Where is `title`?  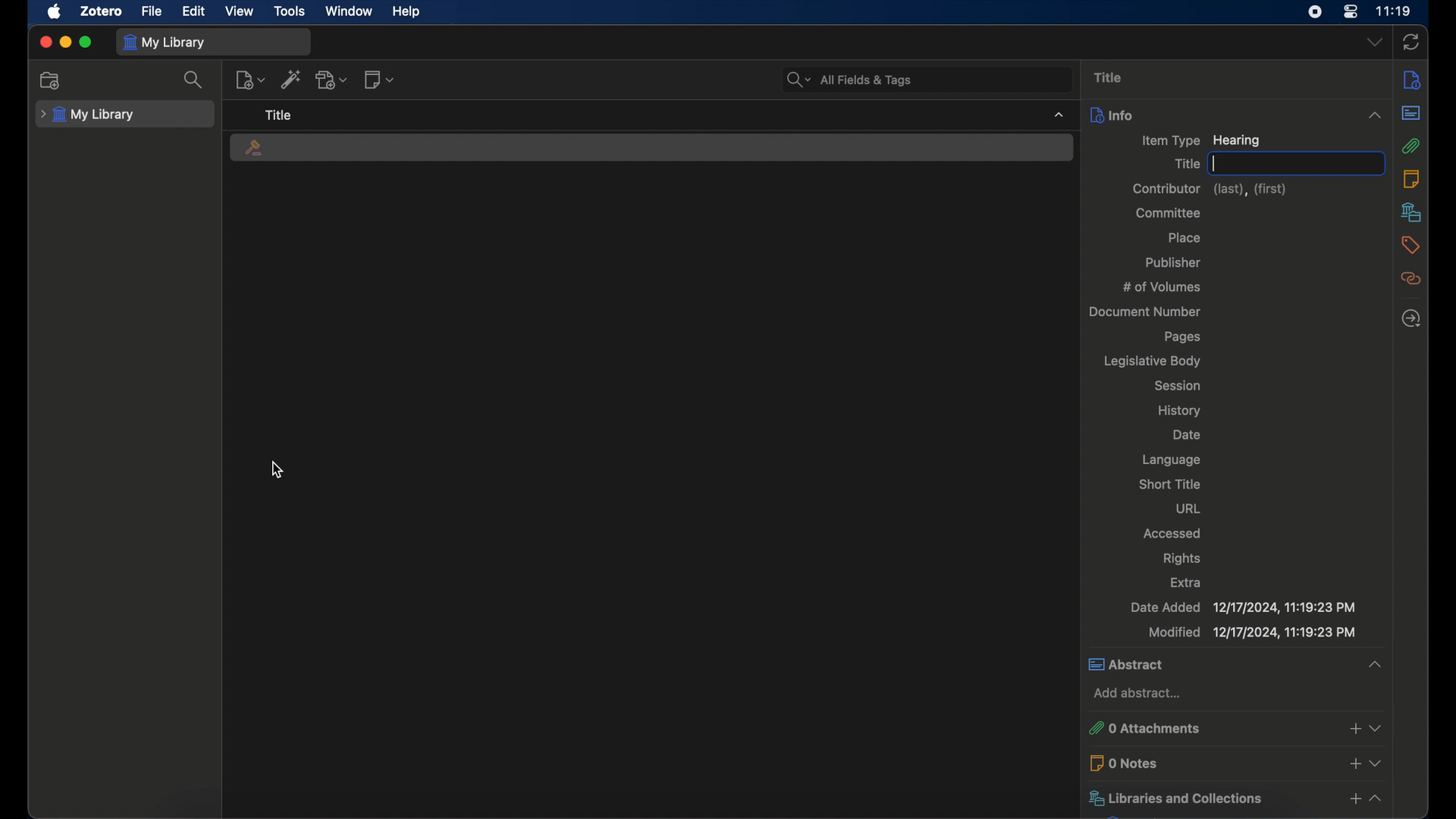 title is located at coordinates (278, 115).